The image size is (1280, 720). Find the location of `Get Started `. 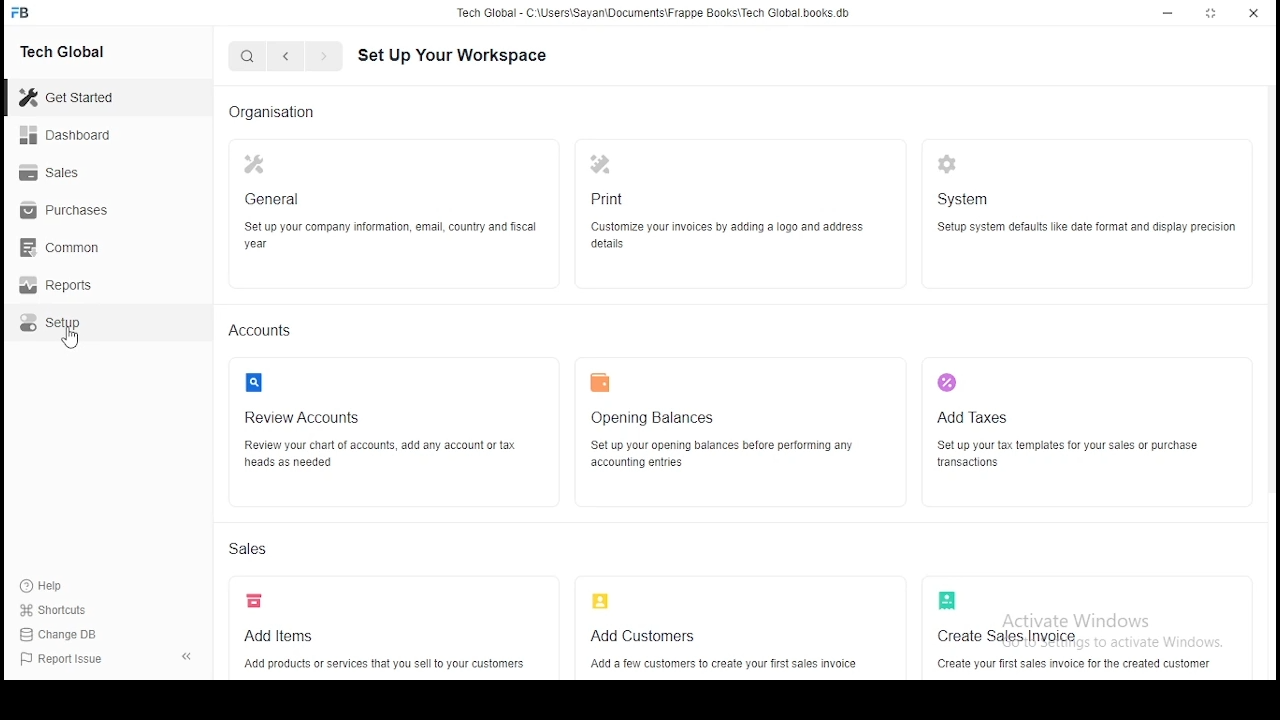

Get Started  is located at coordinates (91, 97).